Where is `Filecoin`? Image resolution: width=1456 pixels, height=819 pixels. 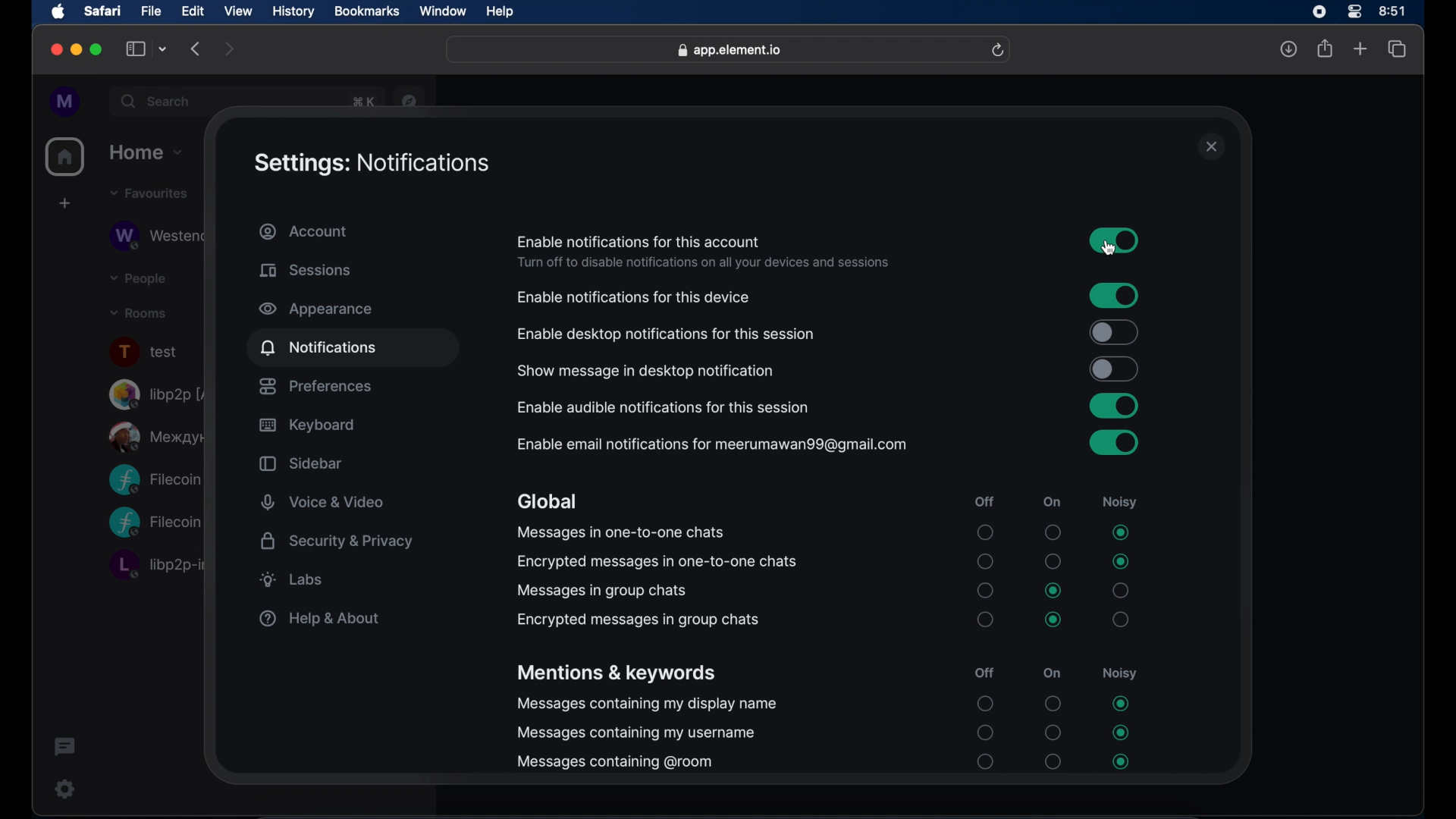 Filecoin is located at coordinates (154, 522).